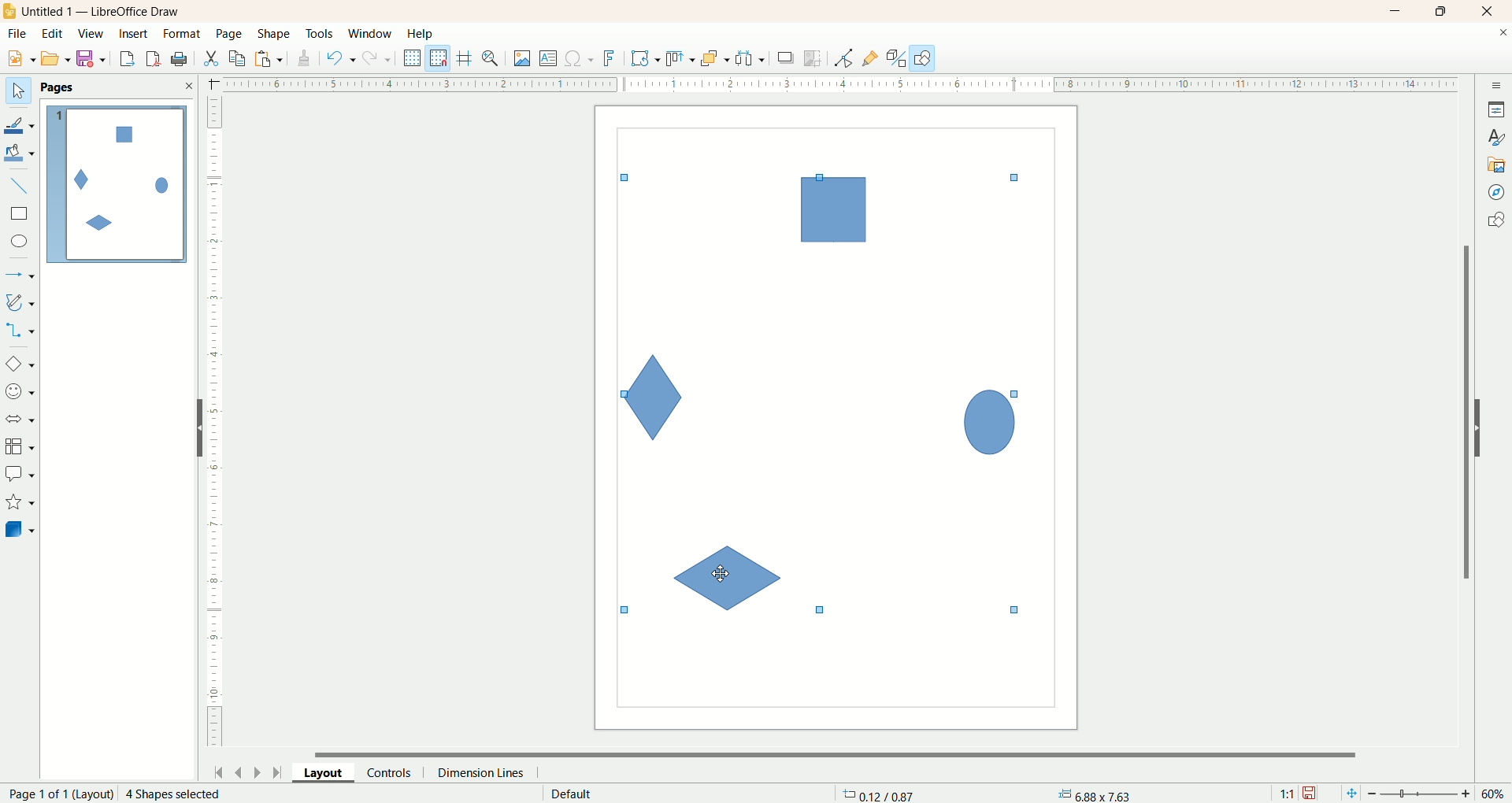 This screenshot has height=803, width=1512. Describe the element at coordinates (238, 58) in the screenshot. I see `copy` at that location.